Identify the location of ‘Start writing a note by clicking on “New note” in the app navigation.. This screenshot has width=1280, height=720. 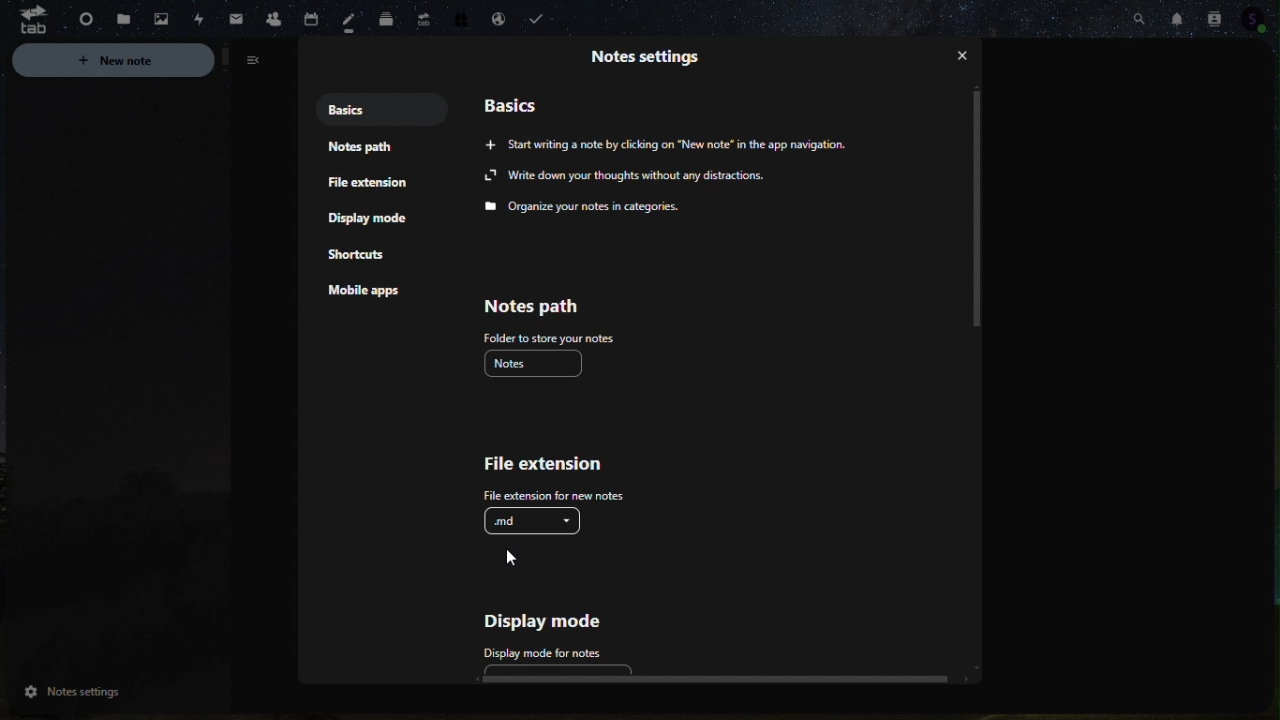
(668, 142).